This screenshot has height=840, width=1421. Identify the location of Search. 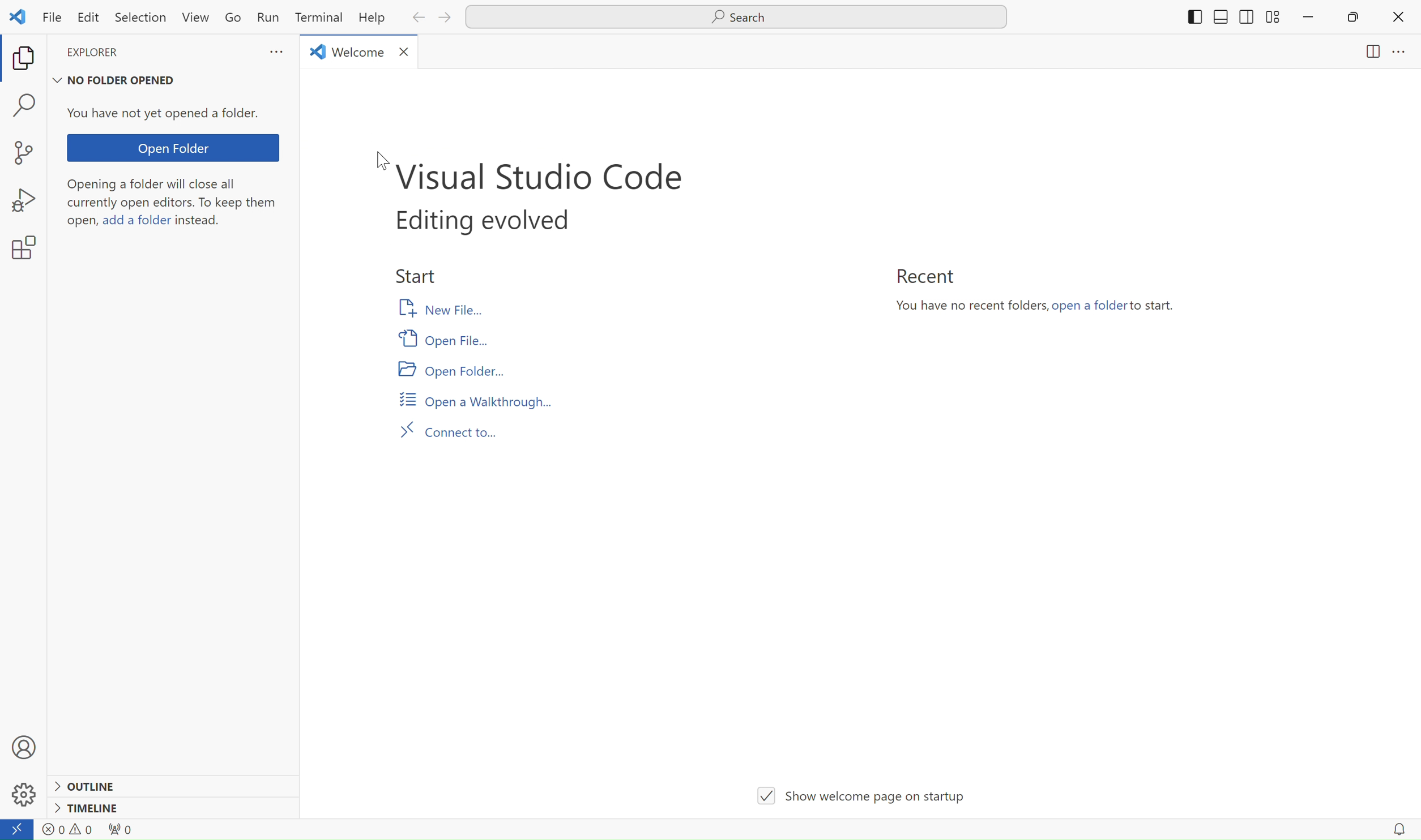
(746, 16).